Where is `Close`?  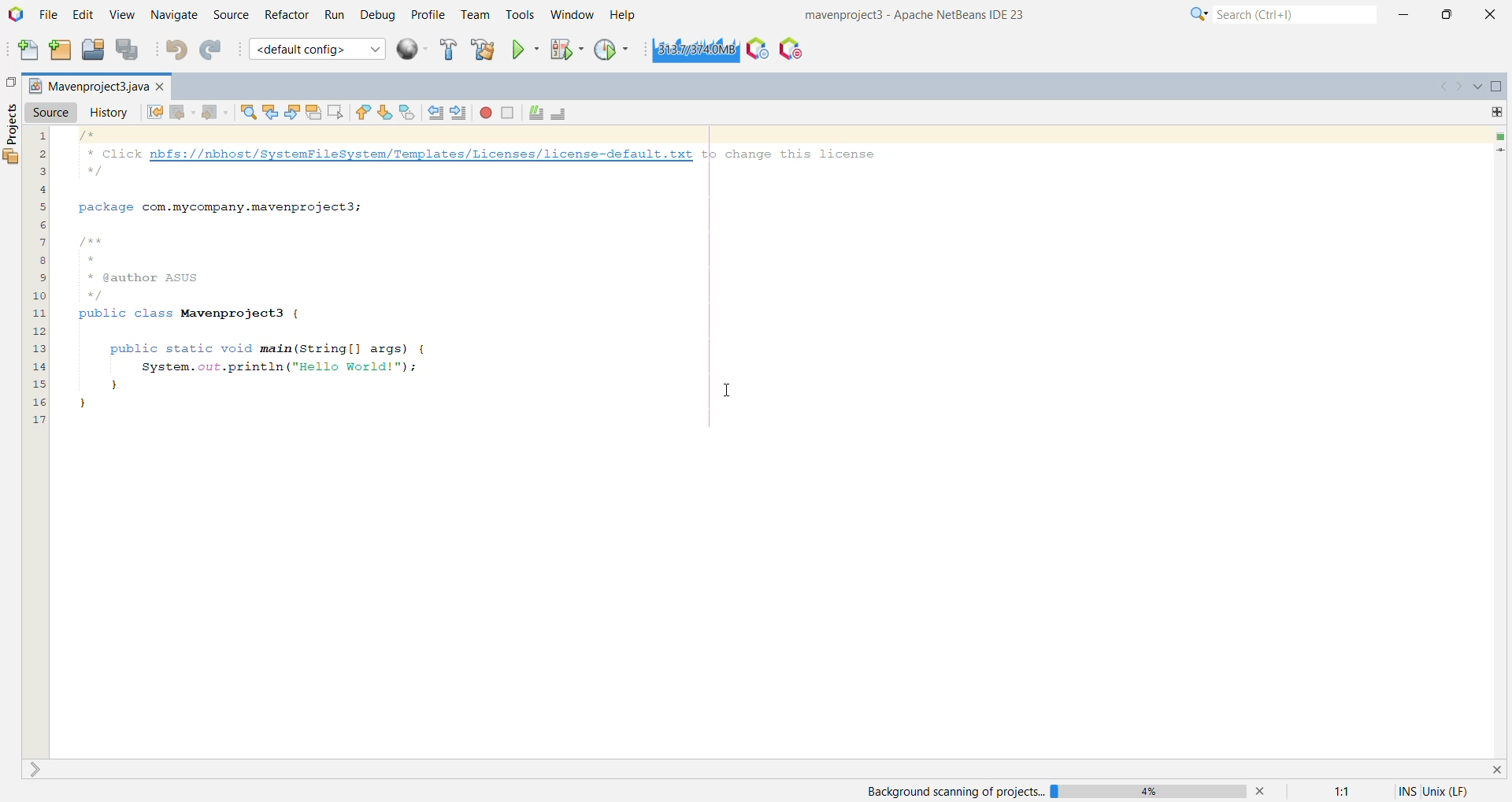 Close is located at coordinates (1489, 16).